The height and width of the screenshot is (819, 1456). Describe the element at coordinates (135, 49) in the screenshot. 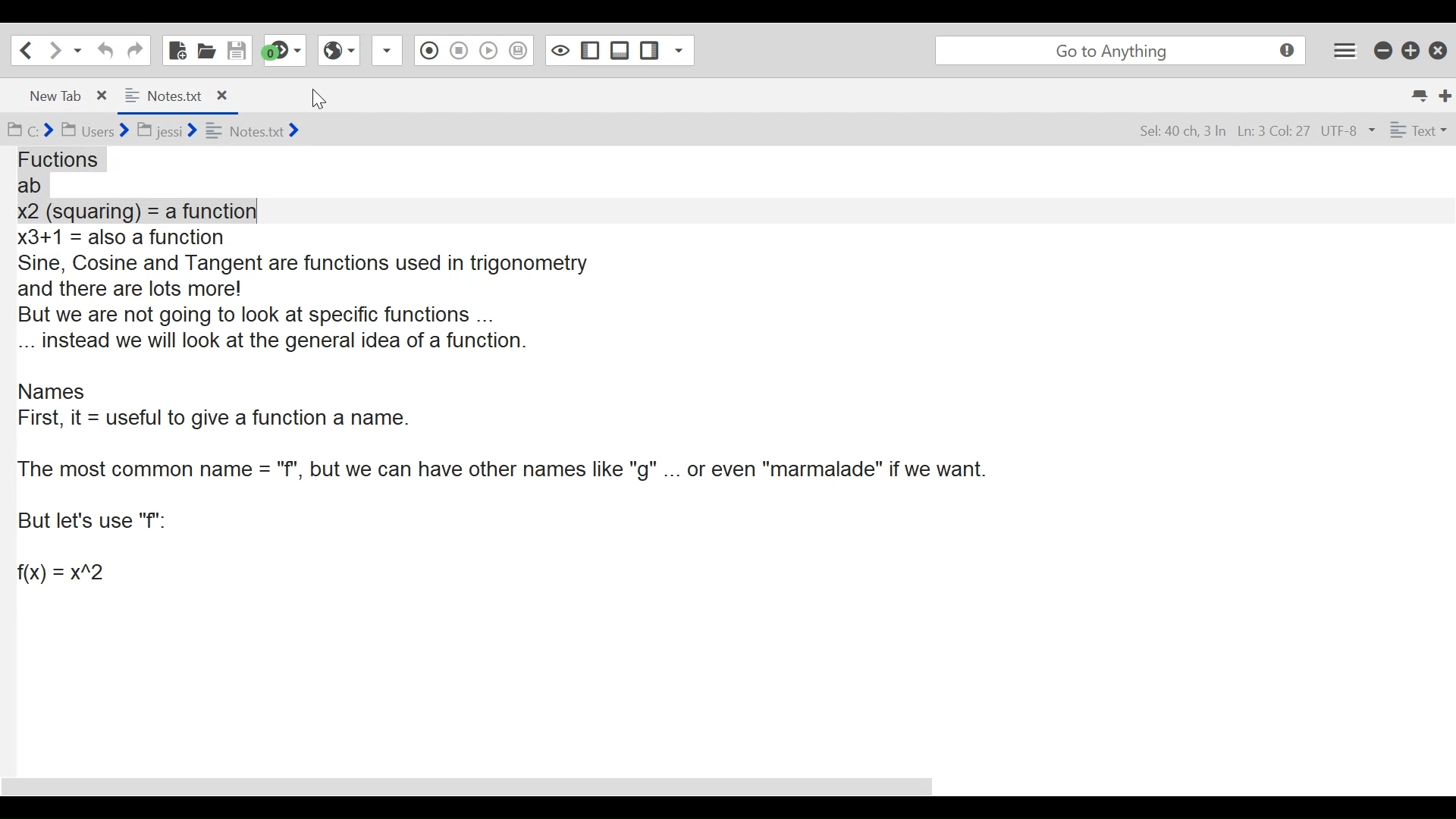

I see `Redo last Action` at that location.